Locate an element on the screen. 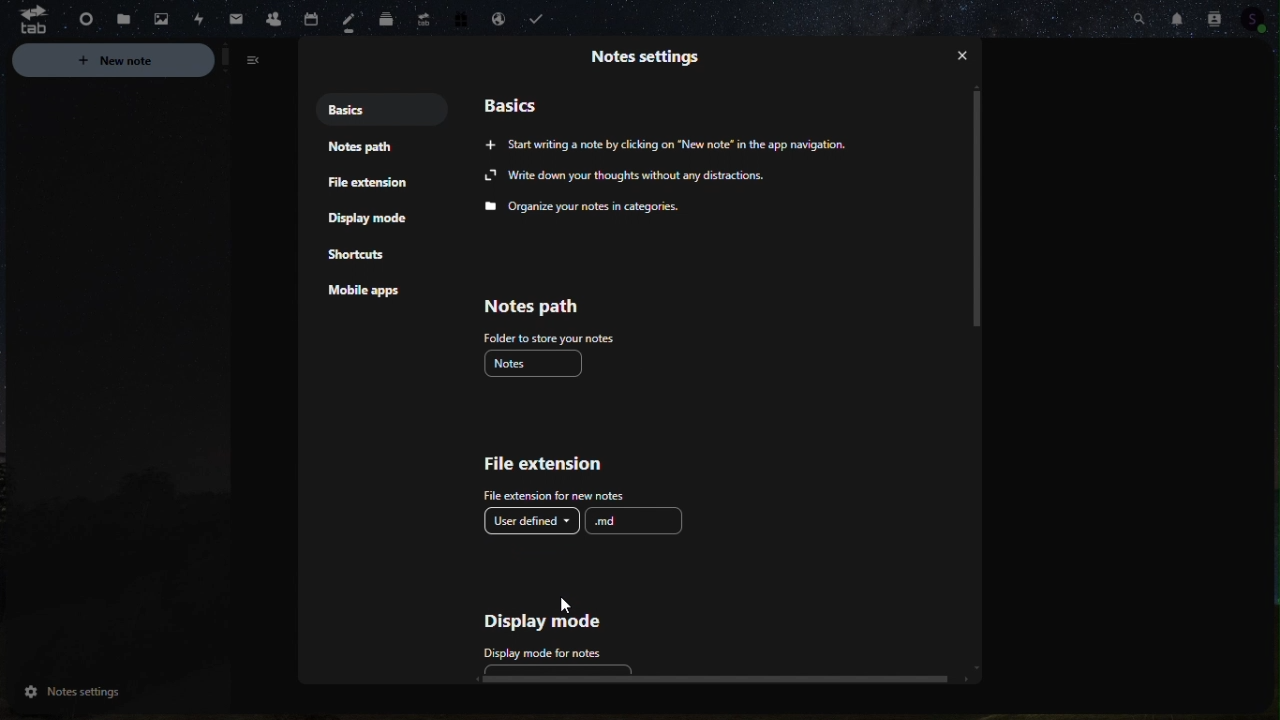 The image size is (1280, 720). Notes Settings is located at coordinates (107, 692).